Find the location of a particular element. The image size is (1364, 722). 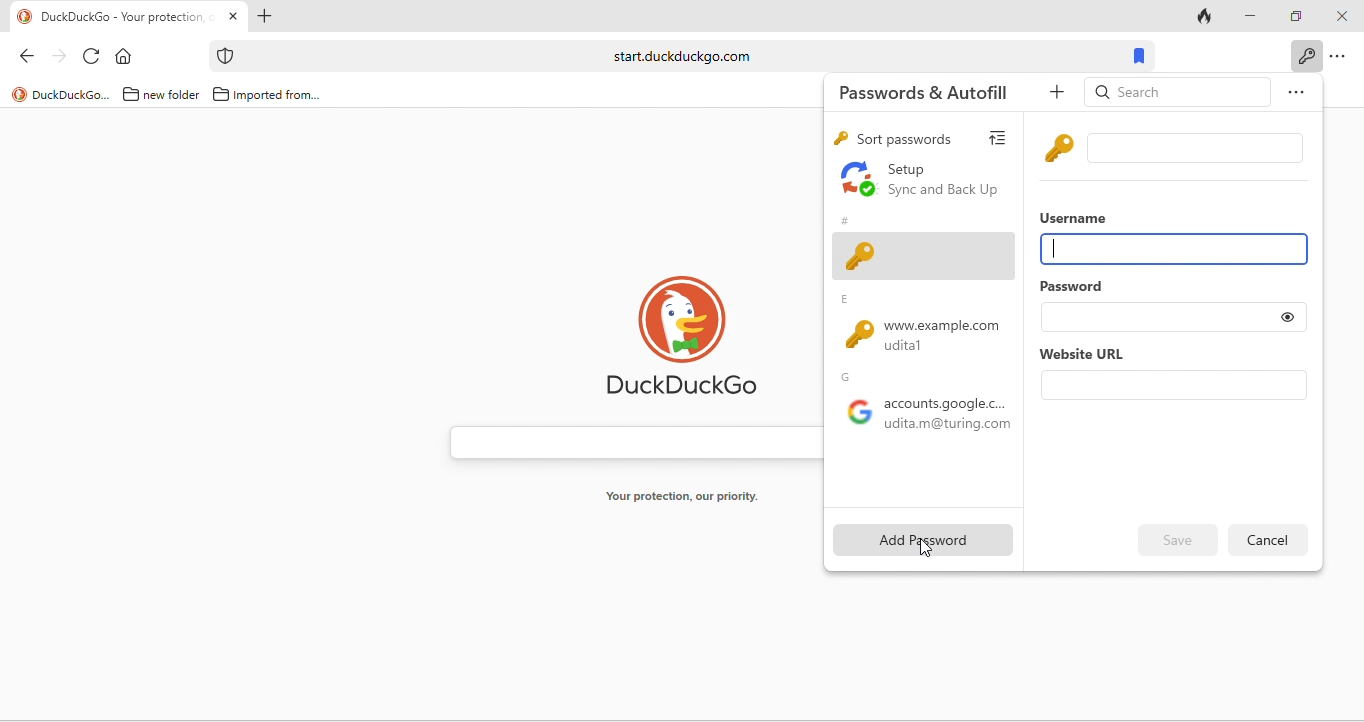

website url is located at coordinates (1081, 354).